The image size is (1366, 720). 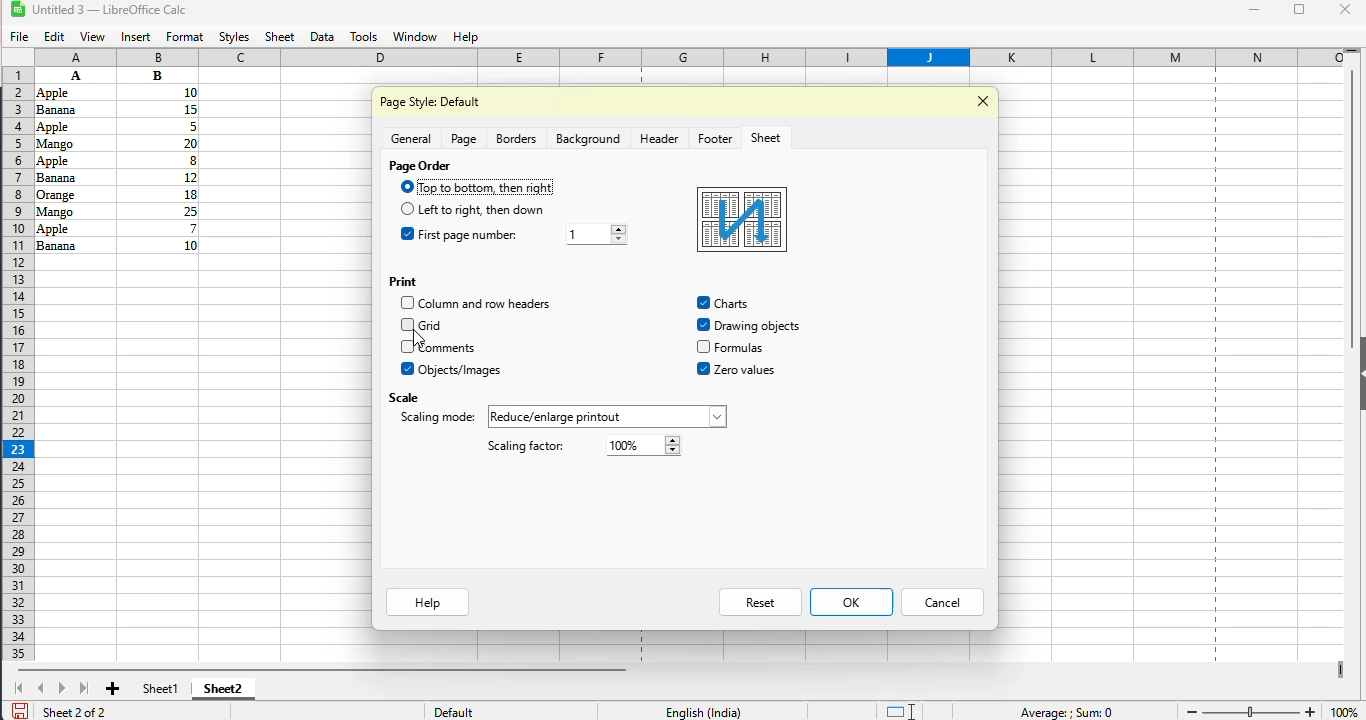 What do you see at coordinates (405, 187) in the screenshot?
I see `` at bounding box center [405, 187].